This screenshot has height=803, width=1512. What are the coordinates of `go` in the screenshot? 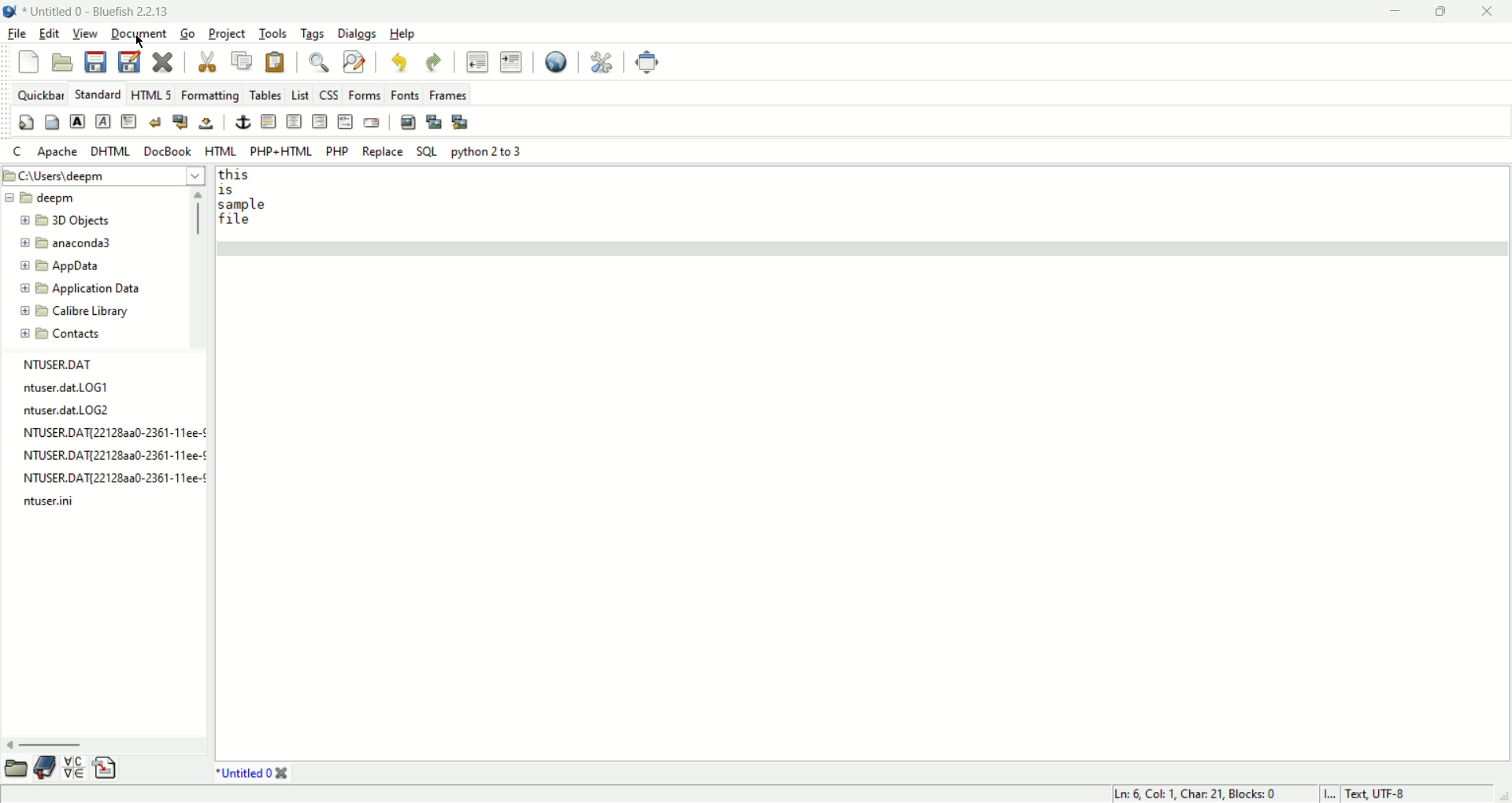 It's located at (190, 32).